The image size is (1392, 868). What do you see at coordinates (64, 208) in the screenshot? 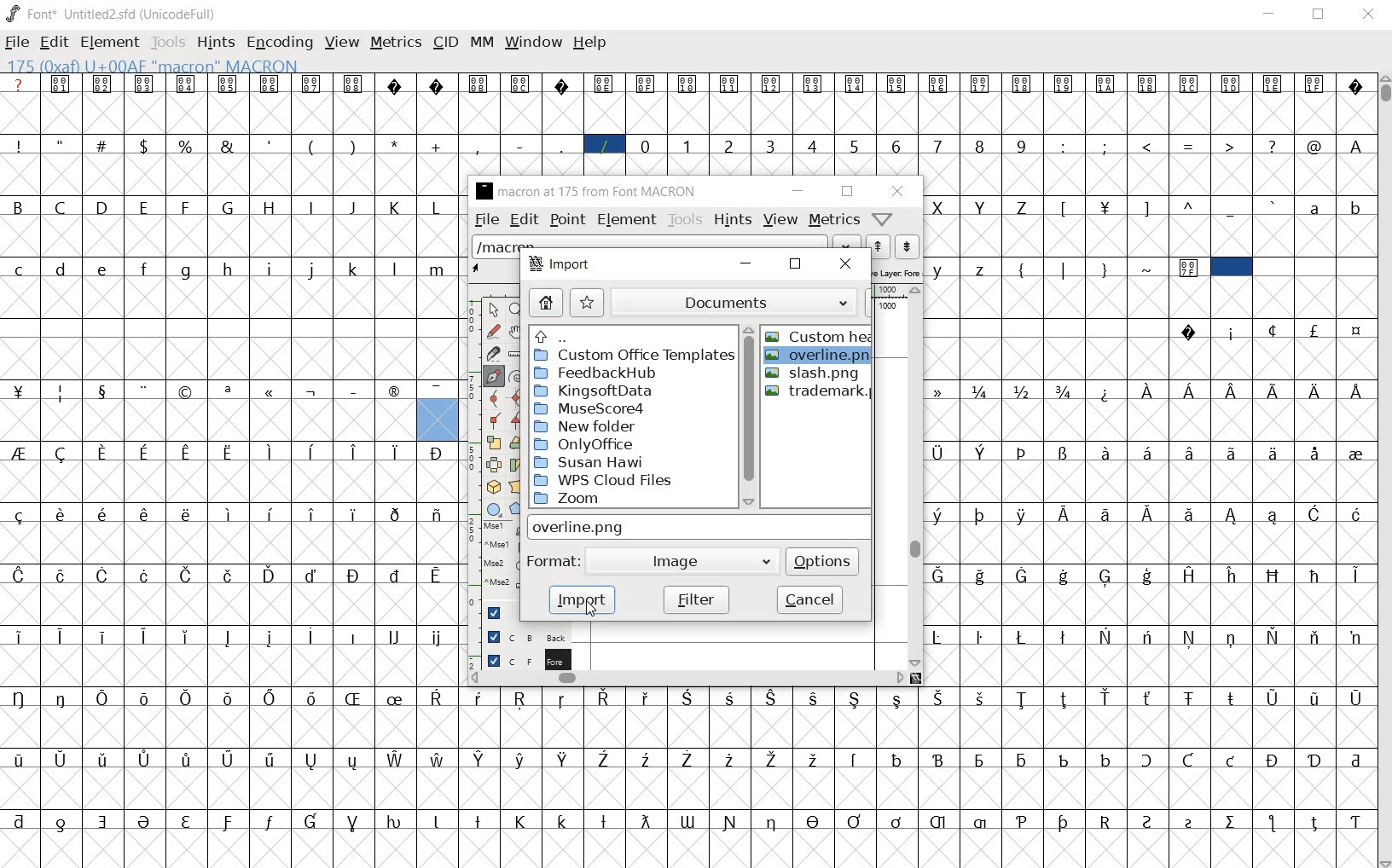
I see `C` at bounding box center [64, 208].